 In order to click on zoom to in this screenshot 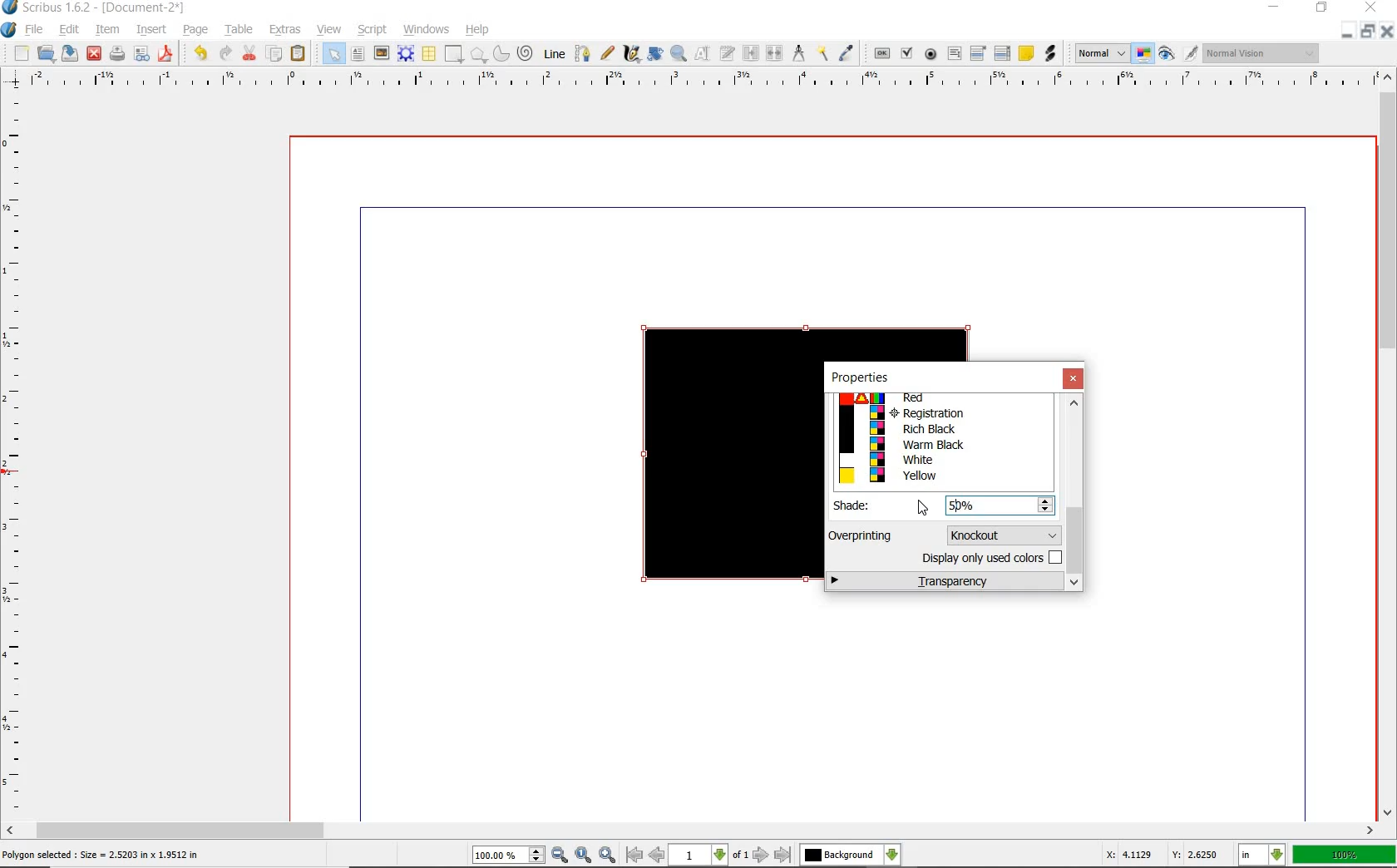, I will do `click(583, 855)`.